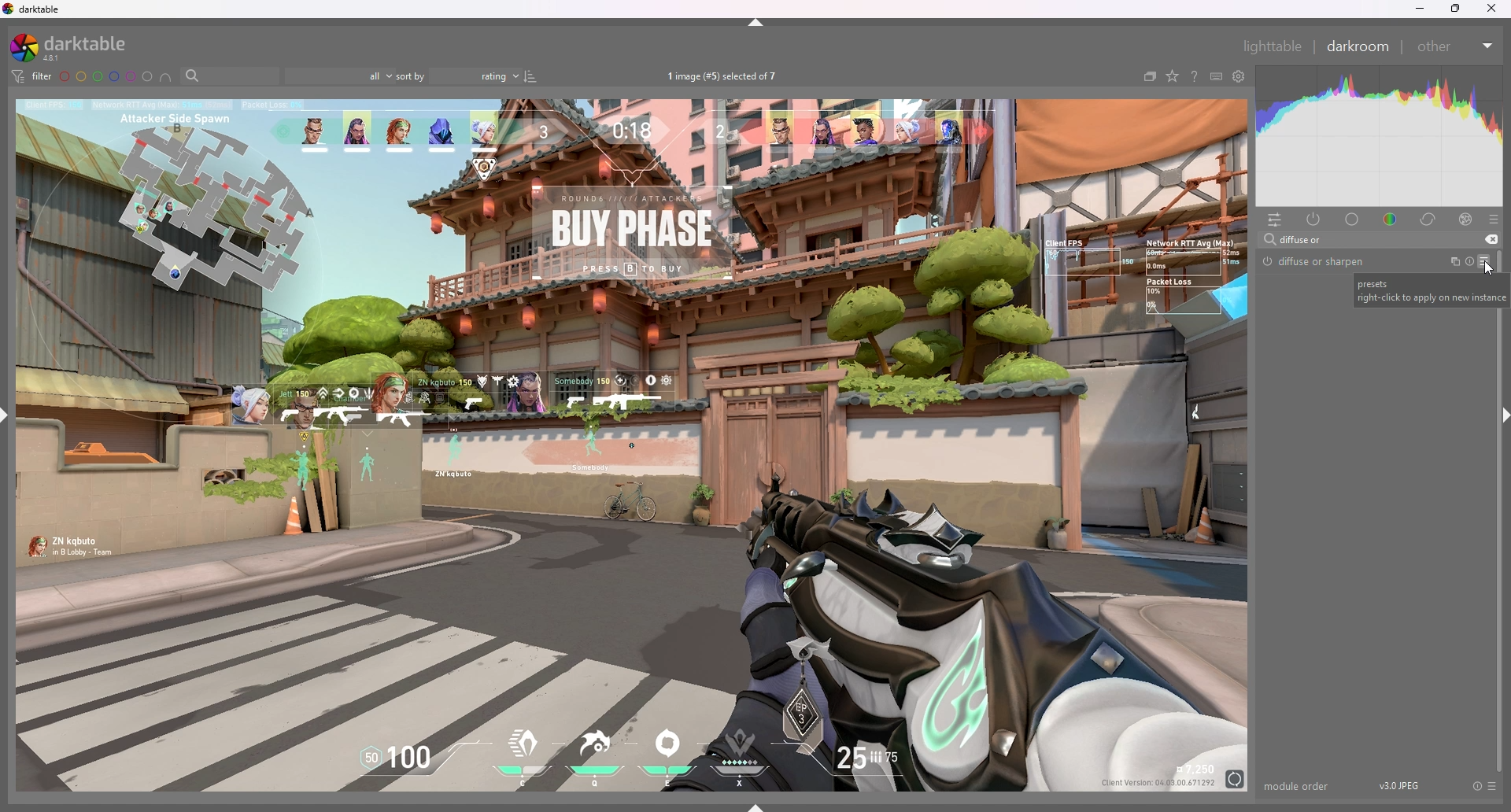 The image size is (1511, 812). What do you see at coordinates (1492, 9) in the screenshot?
I see `close` at bounding box center [1492, 9].